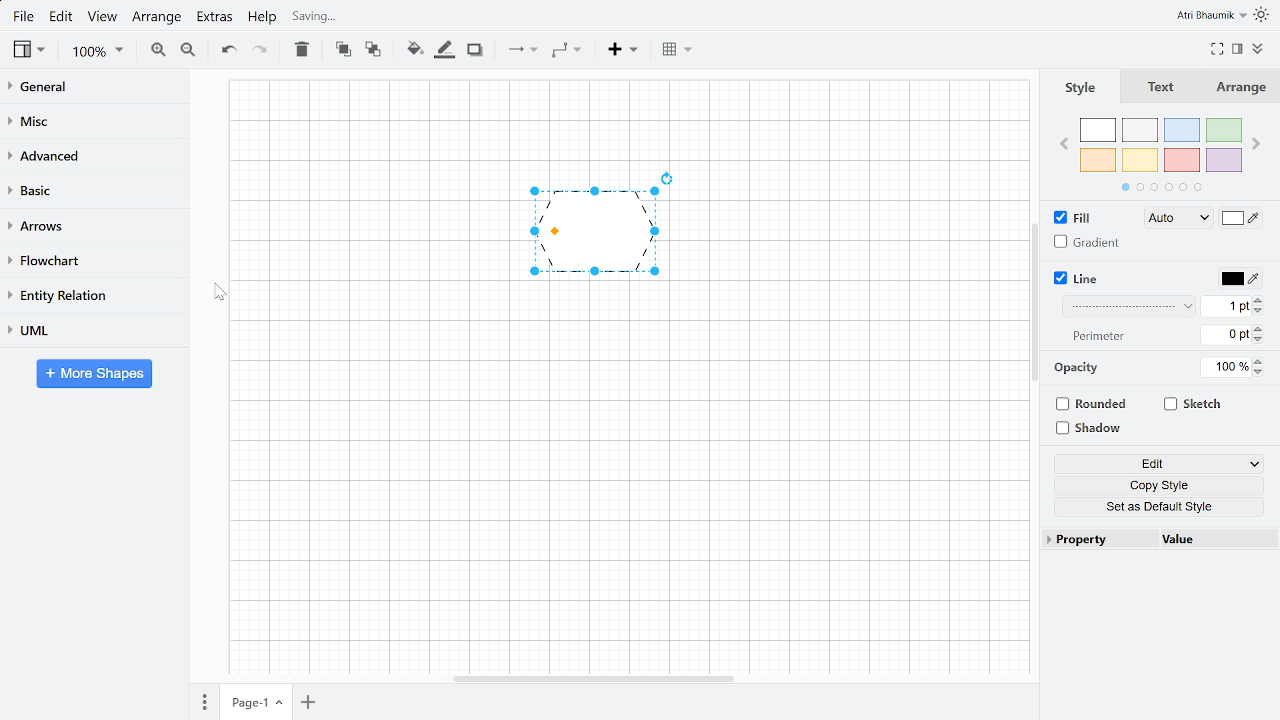 The image size is (1280, 720). Describe the element at coordinates (448, 51) in the screenshot. I see `Fill line` at that location.